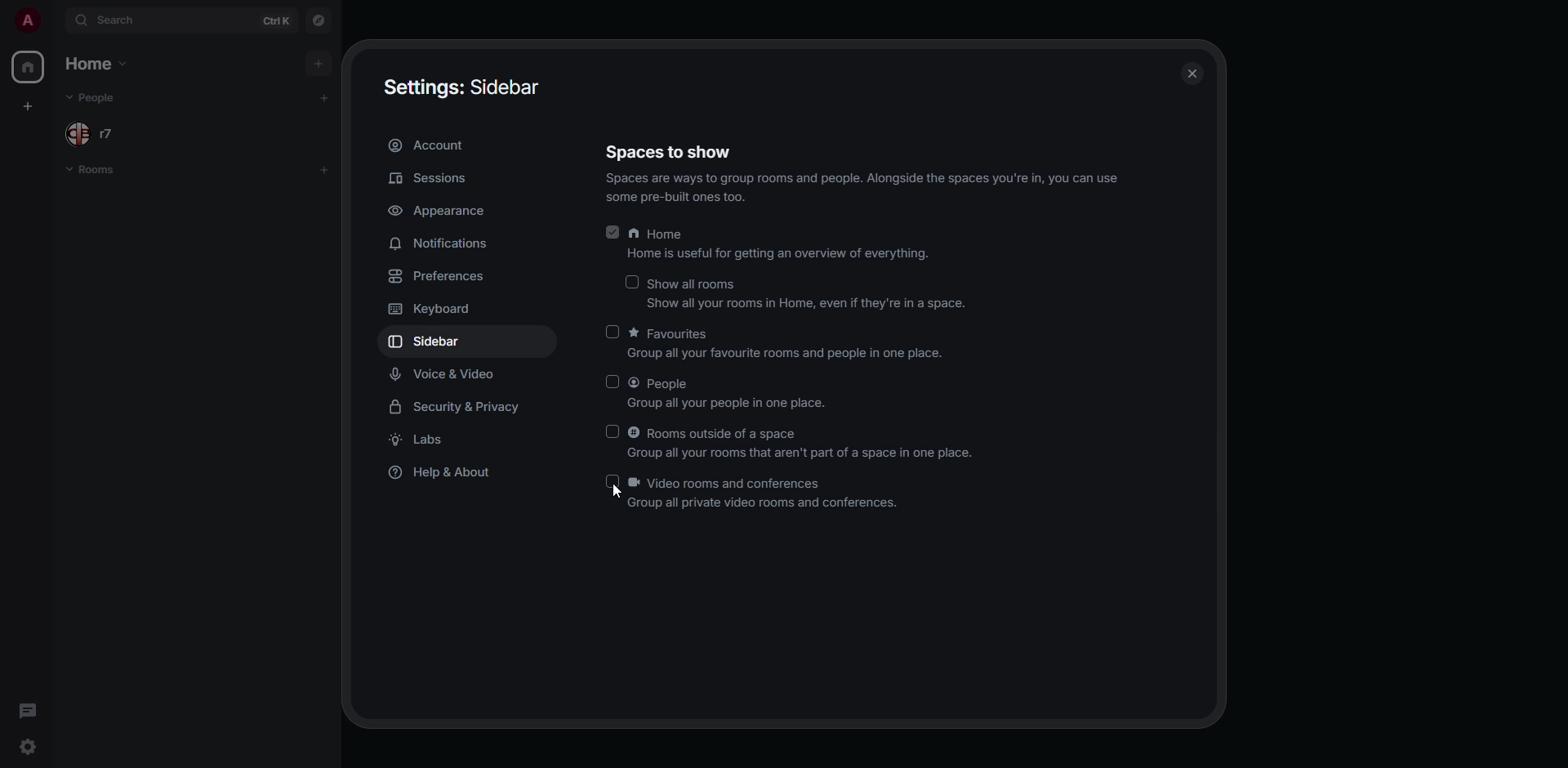 The height and width of the screenshot is (768, 1568). I want to click on profile, so click(28, 20).